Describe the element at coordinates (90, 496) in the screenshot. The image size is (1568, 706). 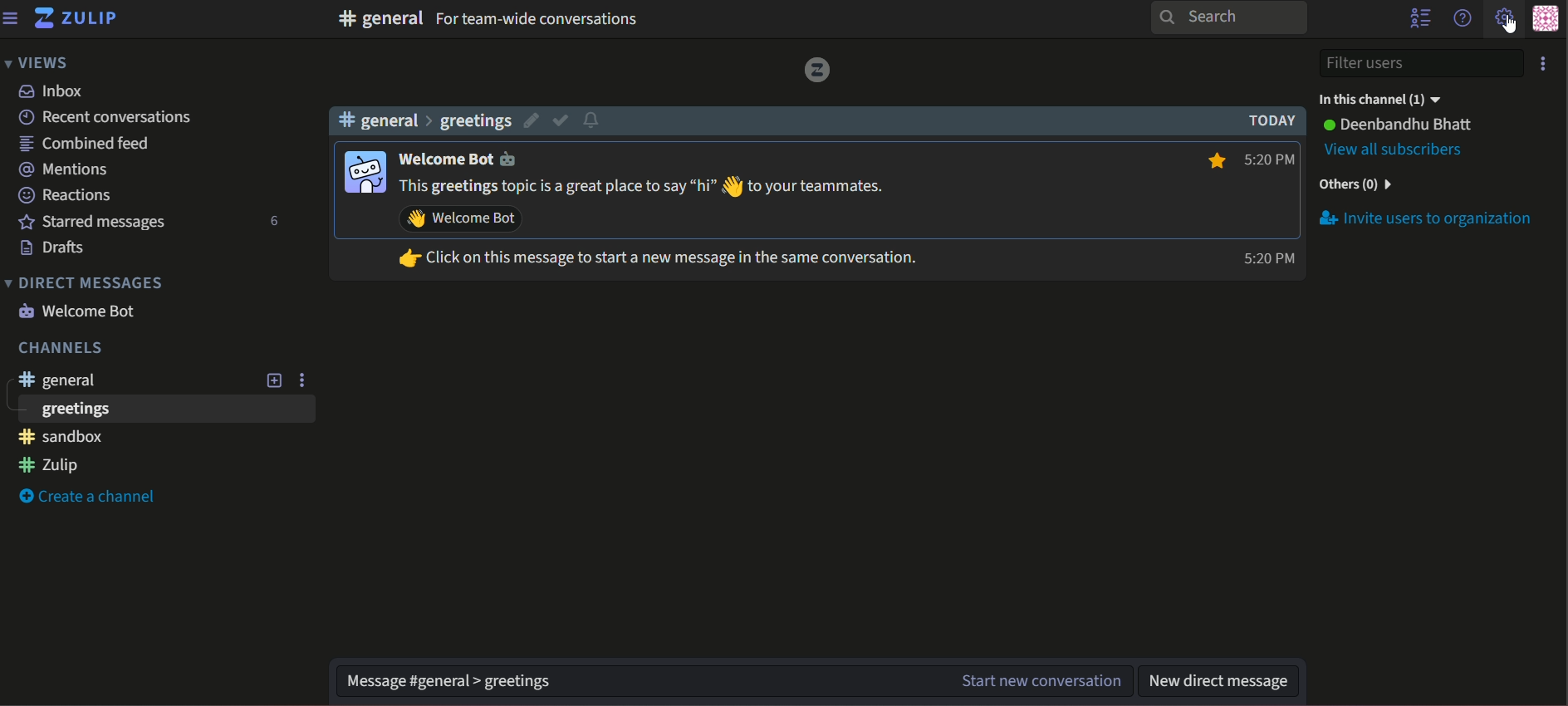
I see `create` at that location.